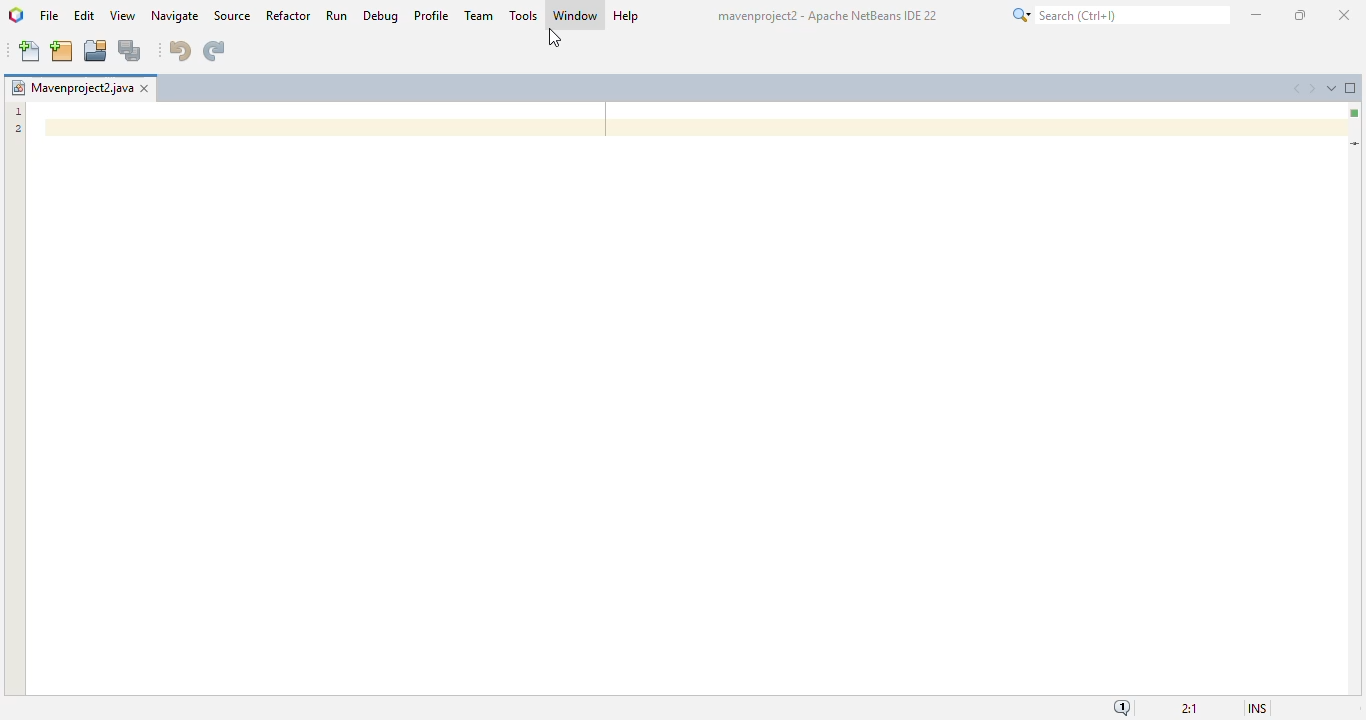  Describe the element at coordinates (575, 15) in the screenshot. I see `window` at that location.